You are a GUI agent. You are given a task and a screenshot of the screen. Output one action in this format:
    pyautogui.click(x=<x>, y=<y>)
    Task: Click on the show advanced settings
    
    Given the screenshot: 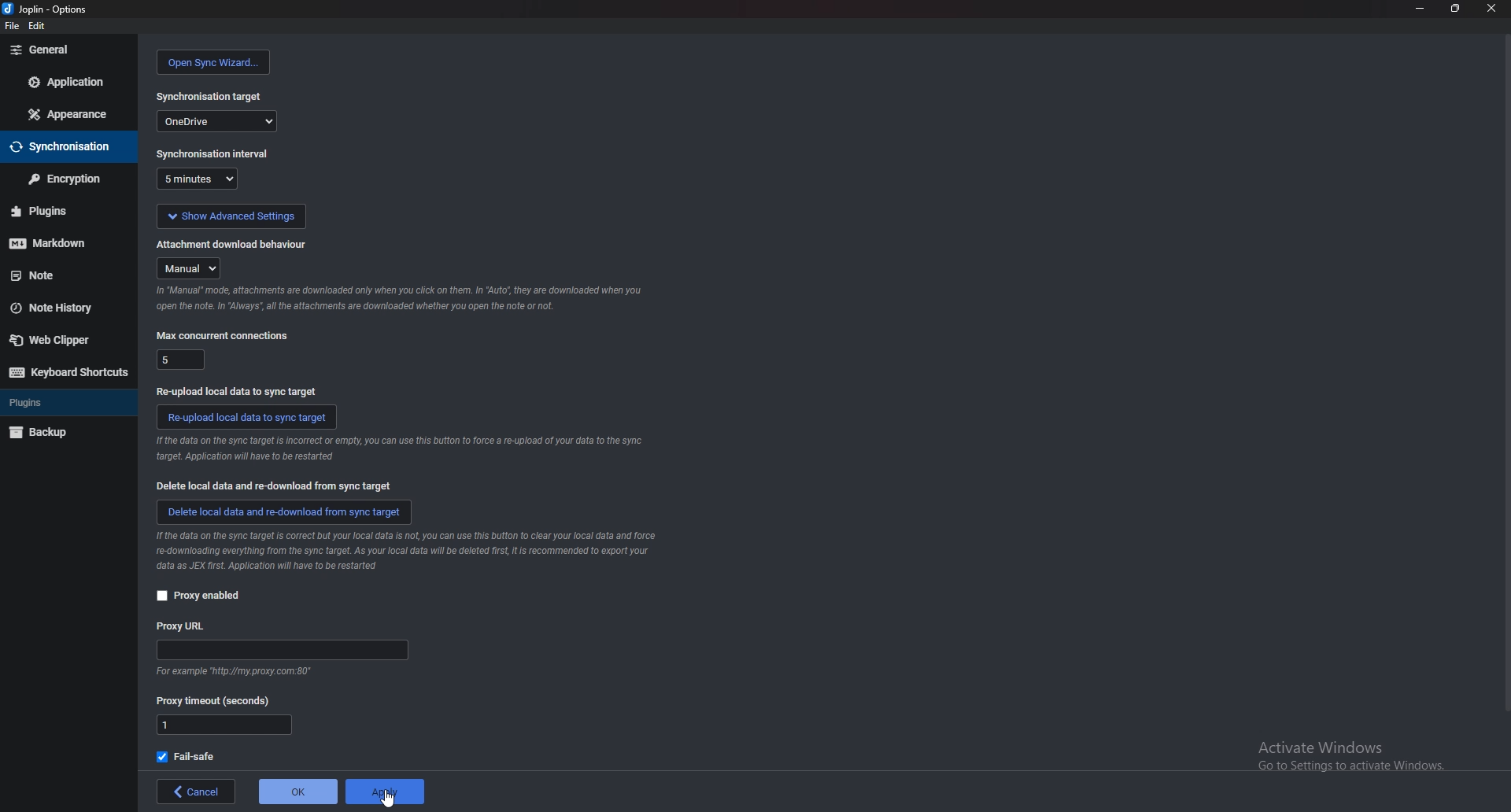 What is the action you would take?
    pyautogui.click(x=231, y=216)
    